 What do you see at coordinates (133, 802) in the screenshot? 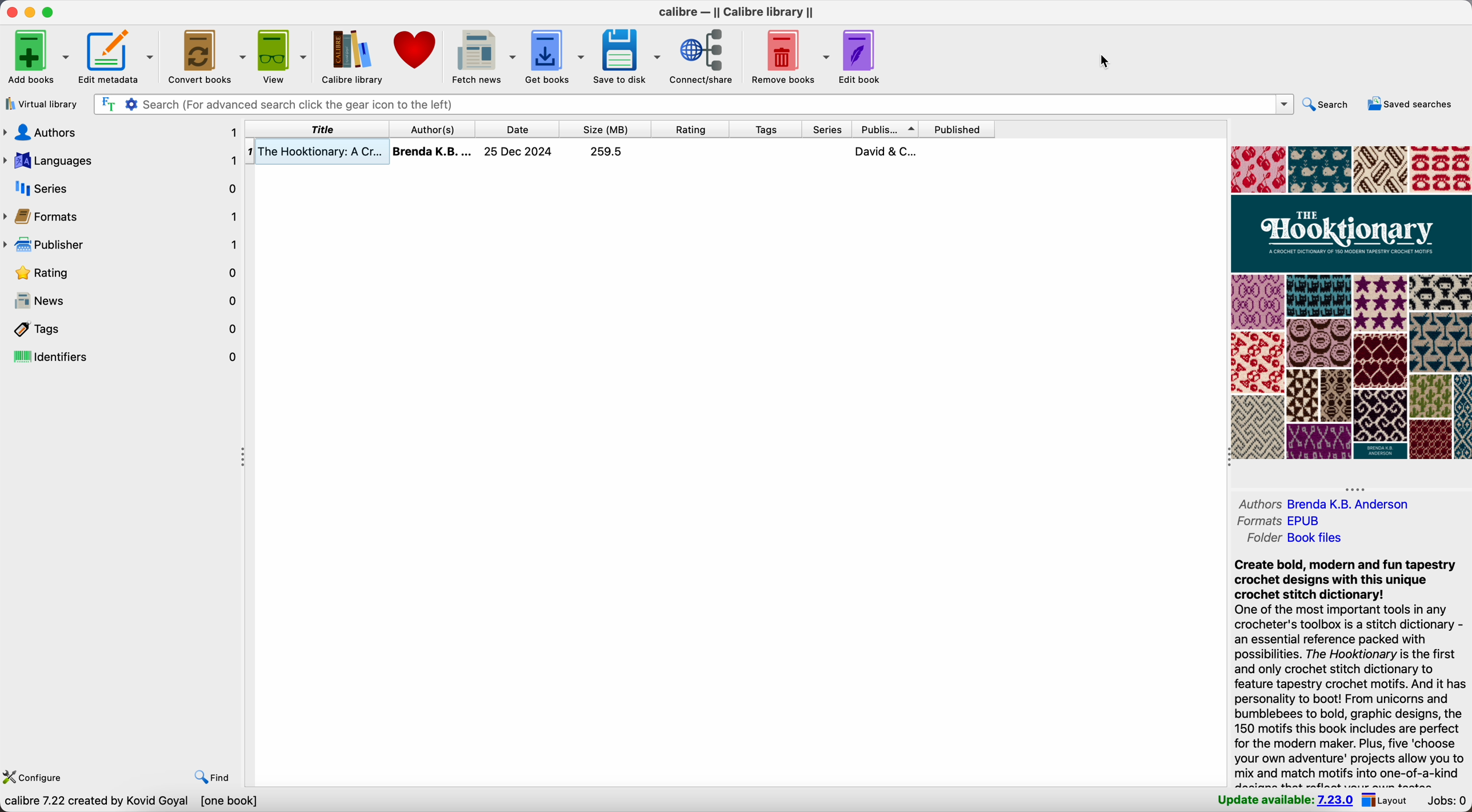
I see `data` at bounding box center [133, 802].